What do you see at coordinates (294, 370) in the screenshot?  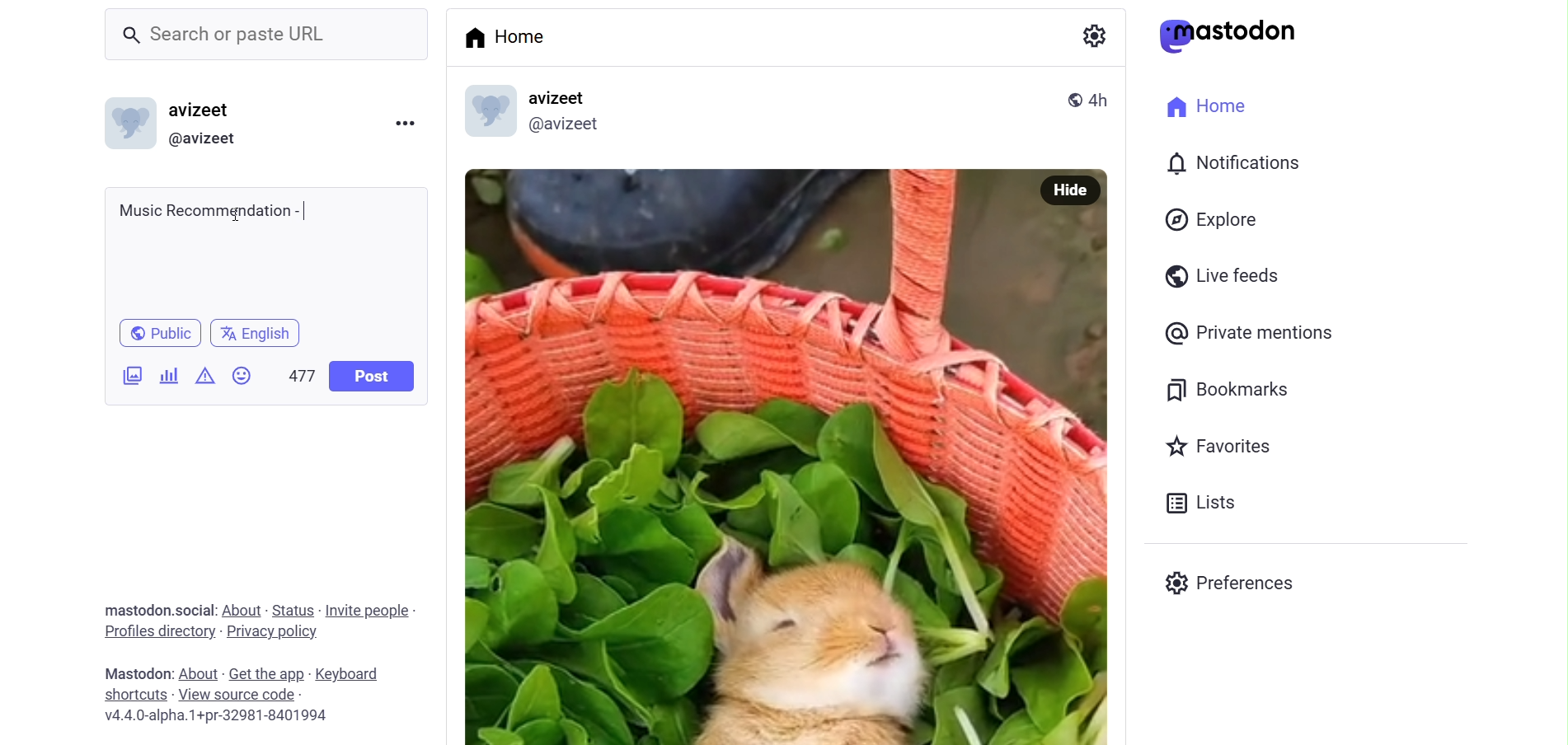 I see `477` at bounding box center [294, 370].